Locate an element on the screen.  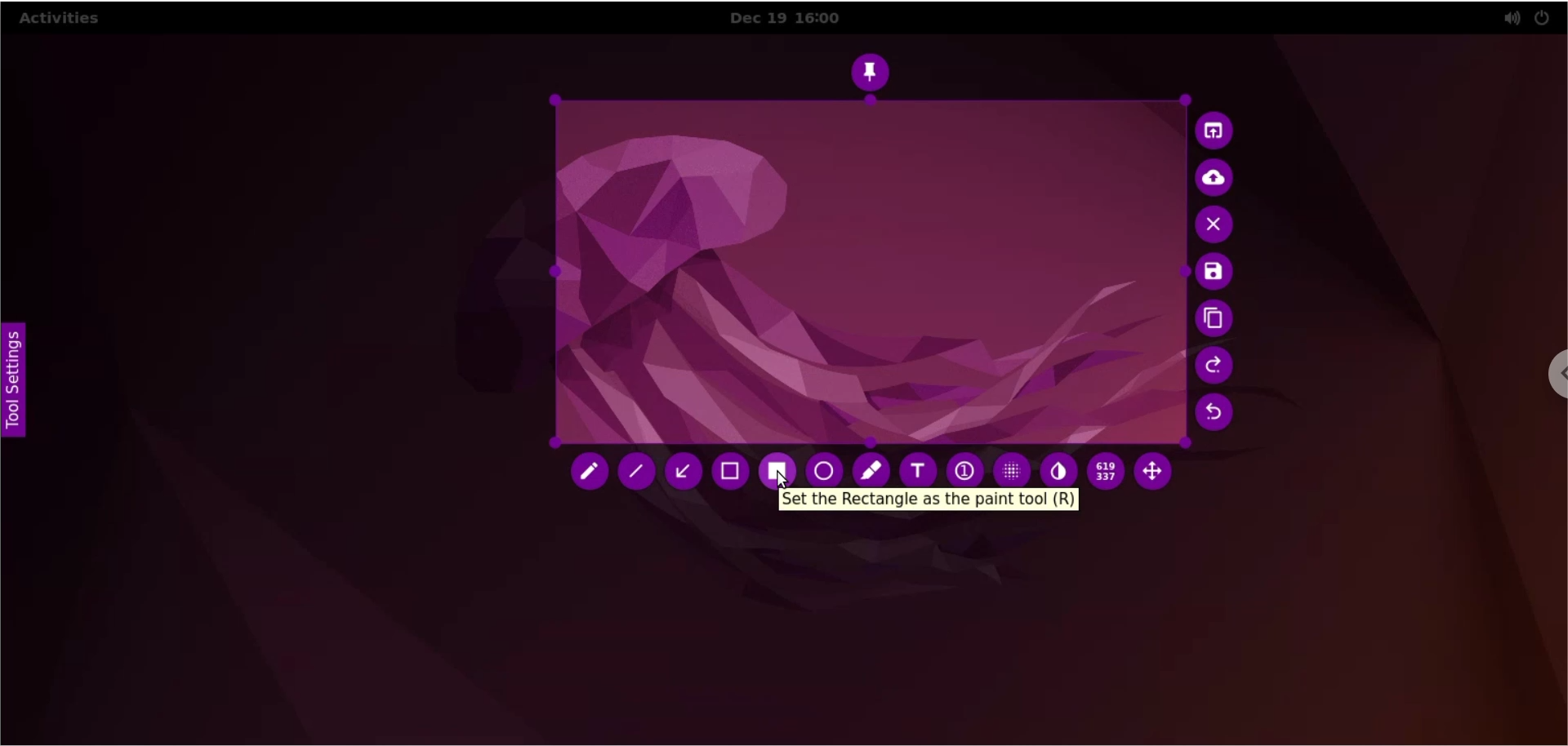
redo is located at coordinates (1214, 366).